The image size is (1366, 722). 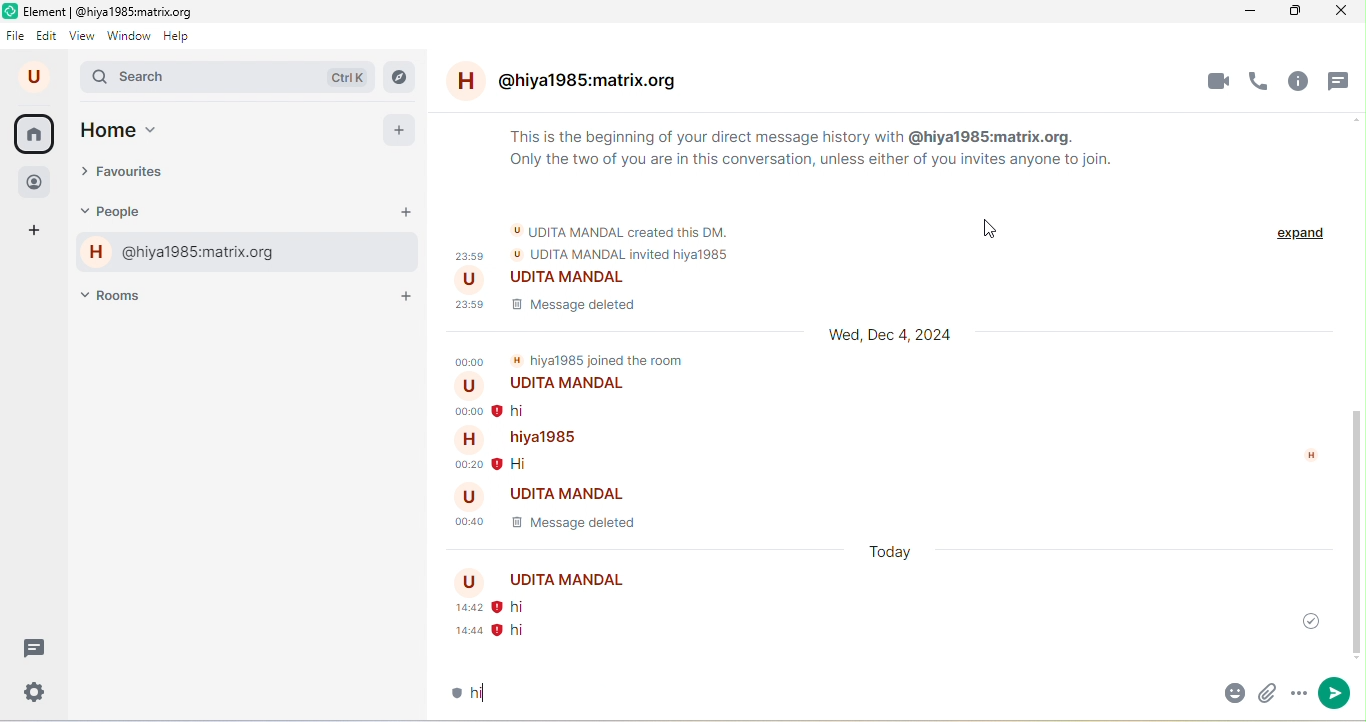 What do you see at coordinates (142, 132) in the screenshot?
I see `home` at bounding box center [142, 132].